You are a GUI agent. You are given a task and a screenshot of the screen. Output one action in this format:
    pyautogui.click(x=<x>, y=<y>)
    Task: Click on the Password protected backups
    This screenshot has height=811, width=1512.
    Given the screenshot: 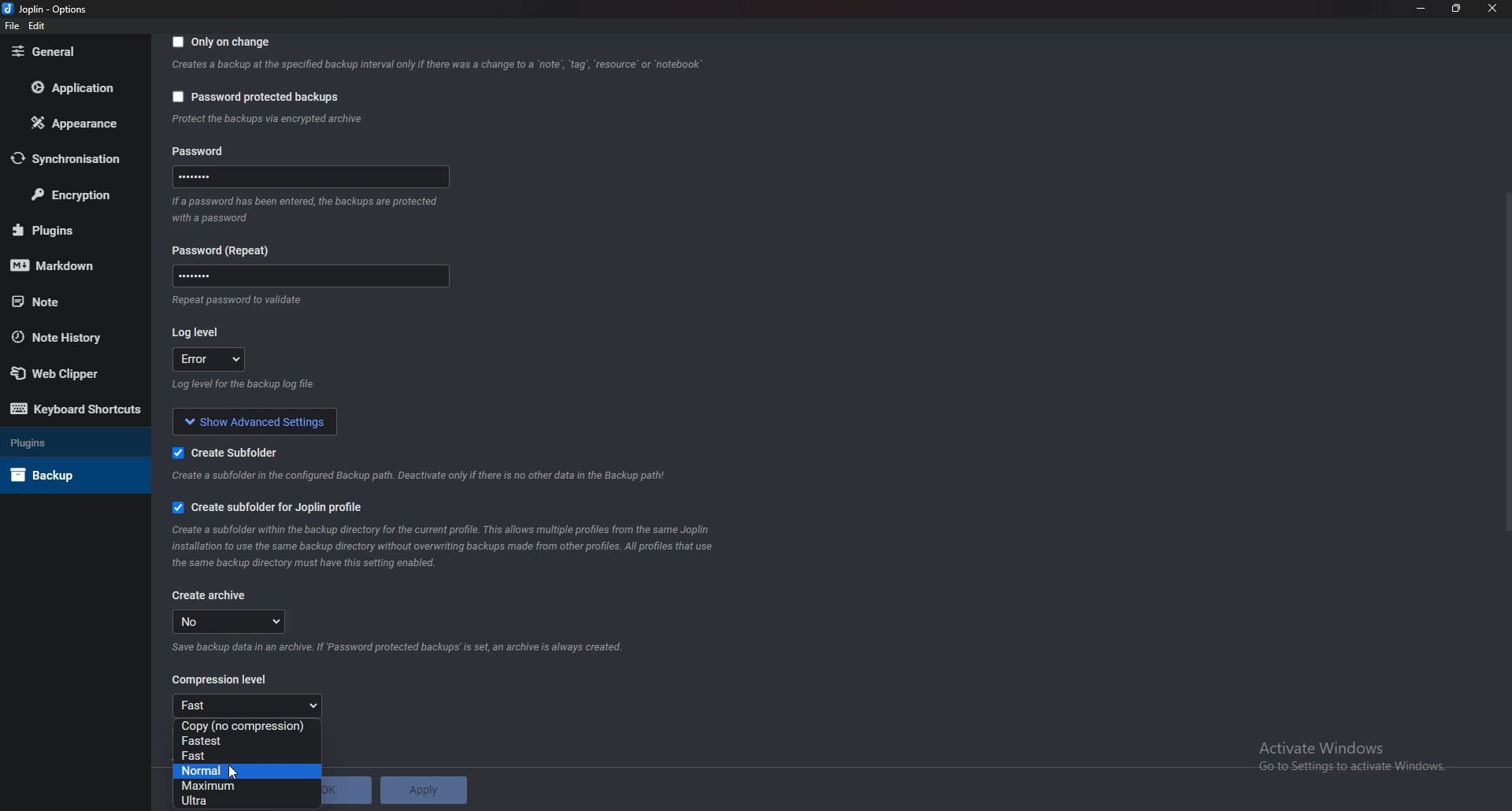 What is the action you would take?
    pyautogui.click(x=255, y=97)
    